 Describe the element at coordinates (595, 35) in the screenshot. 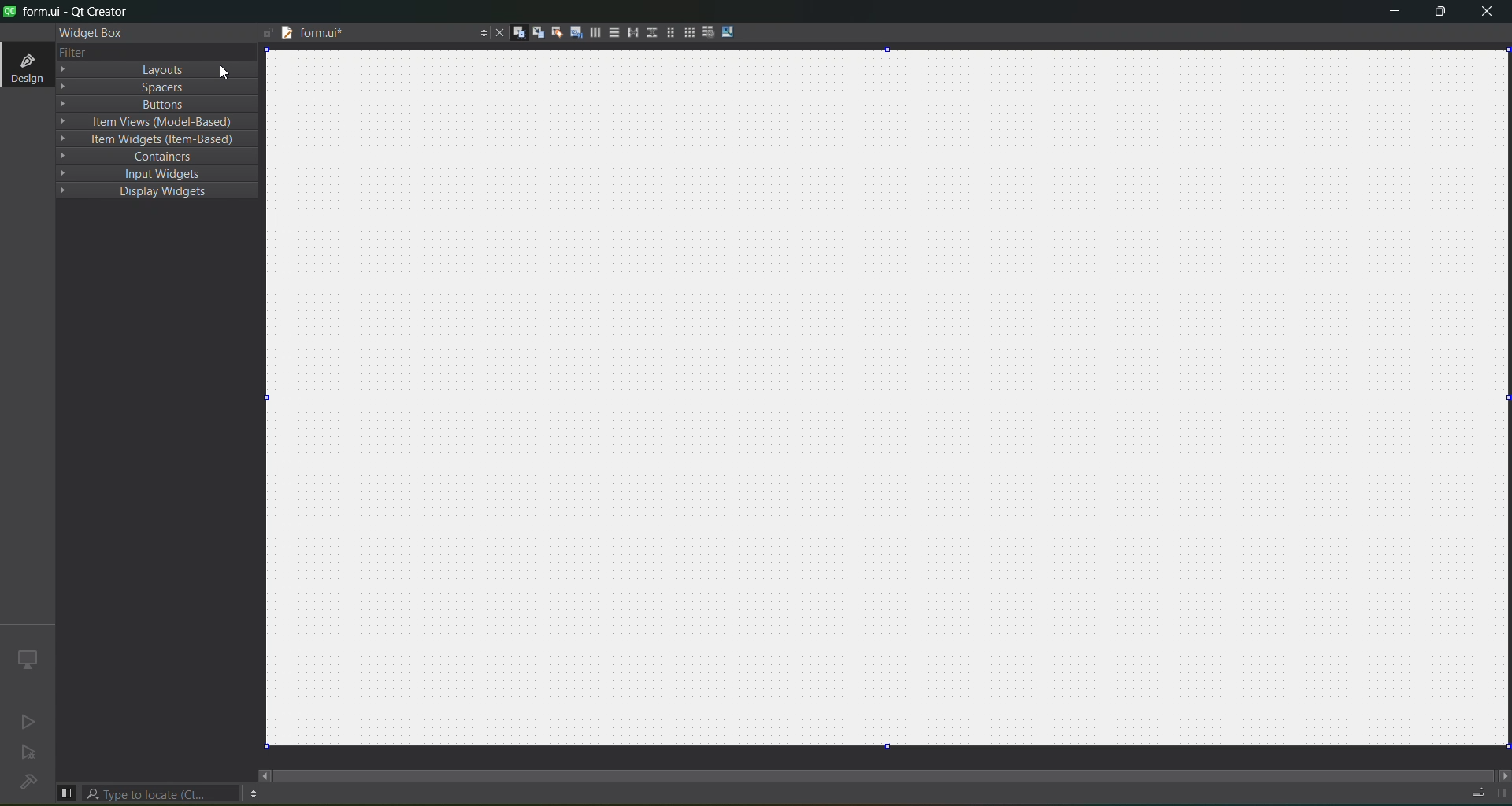

I see `horizontal layoutt` at that location.